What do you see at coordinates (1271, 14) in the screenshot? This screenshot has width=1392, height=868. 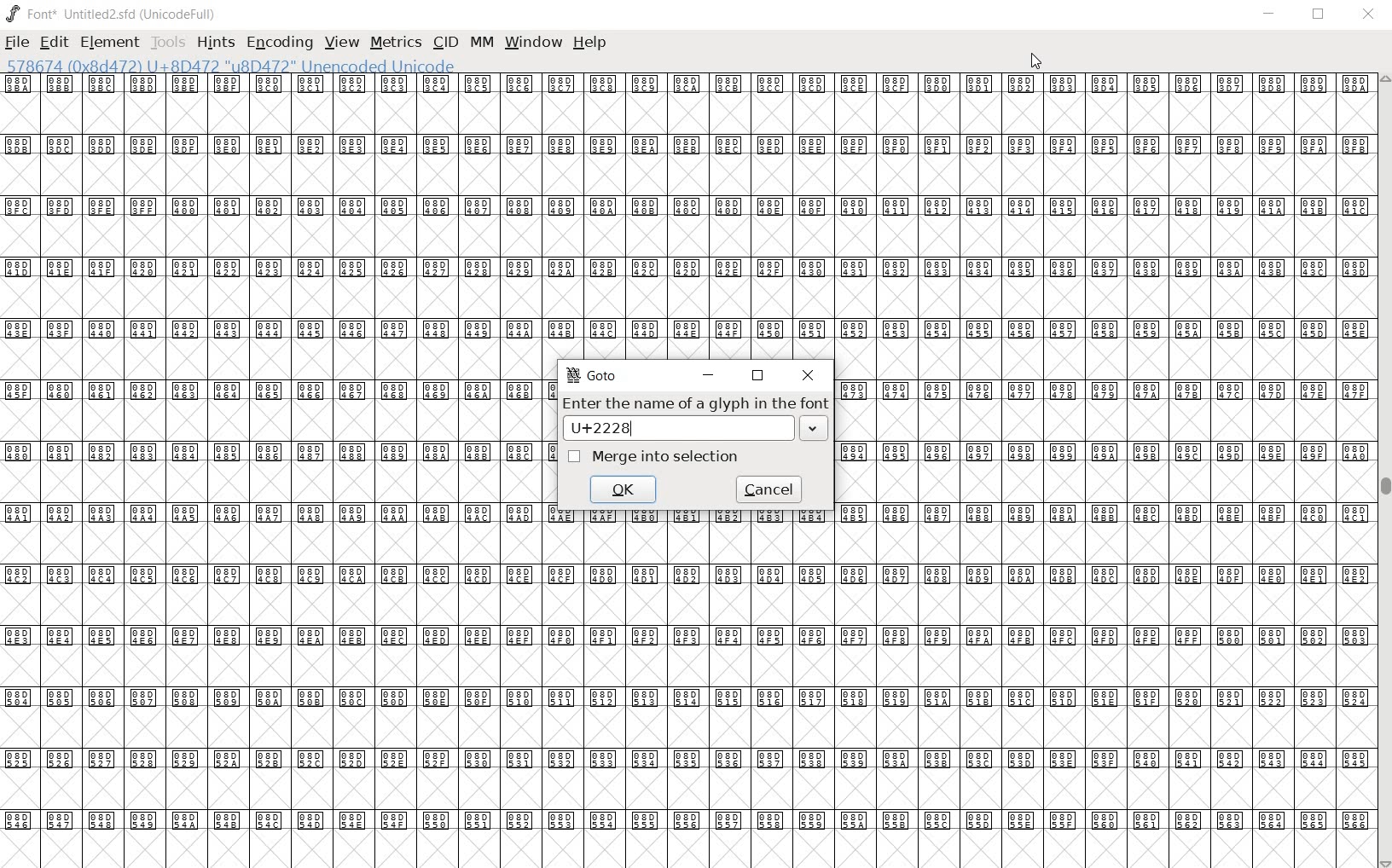 I see `minimize` at bounding box center [1271, 14].